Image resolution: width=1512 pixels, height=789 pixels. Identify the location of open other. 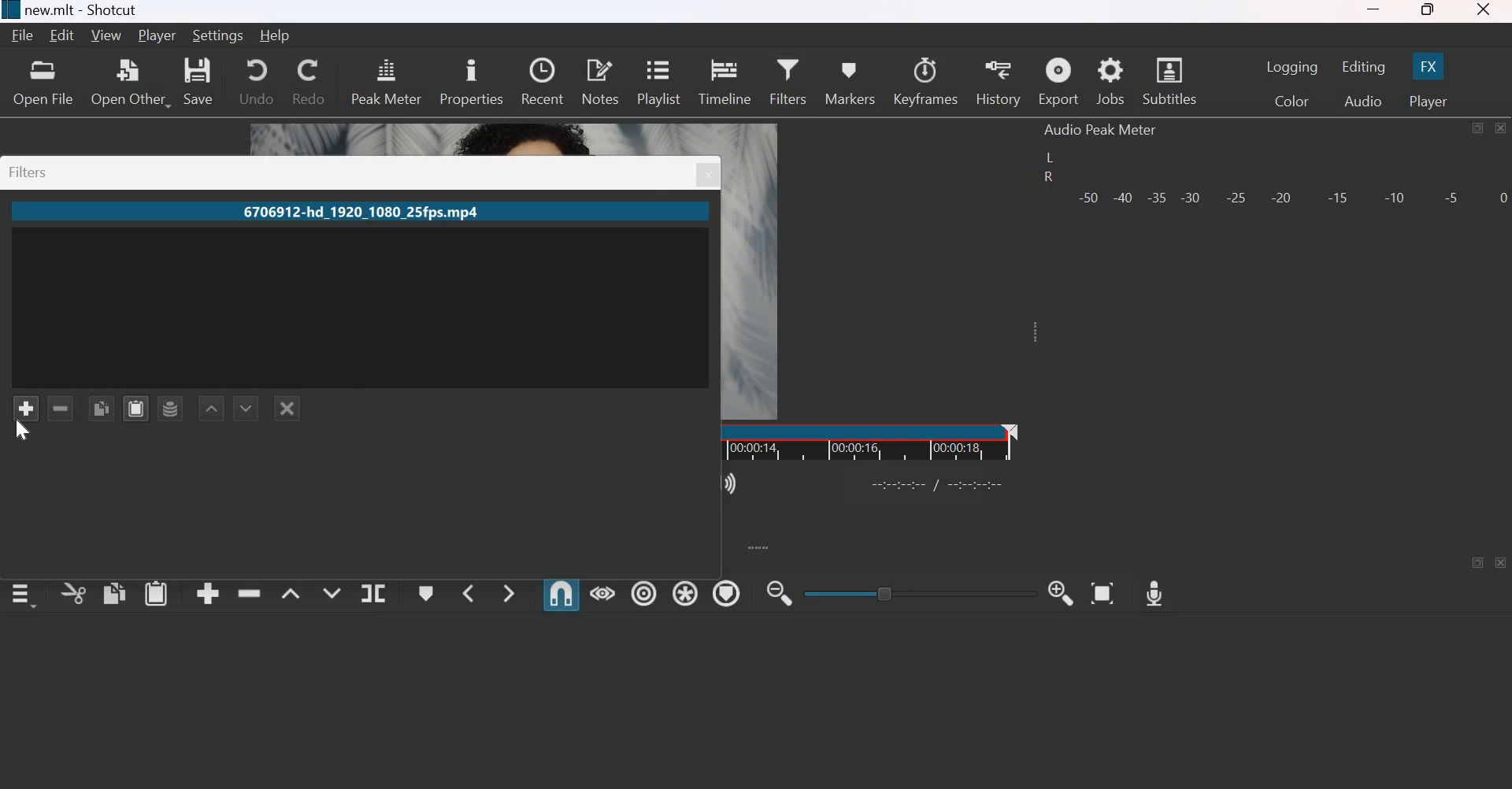
(129, 82).